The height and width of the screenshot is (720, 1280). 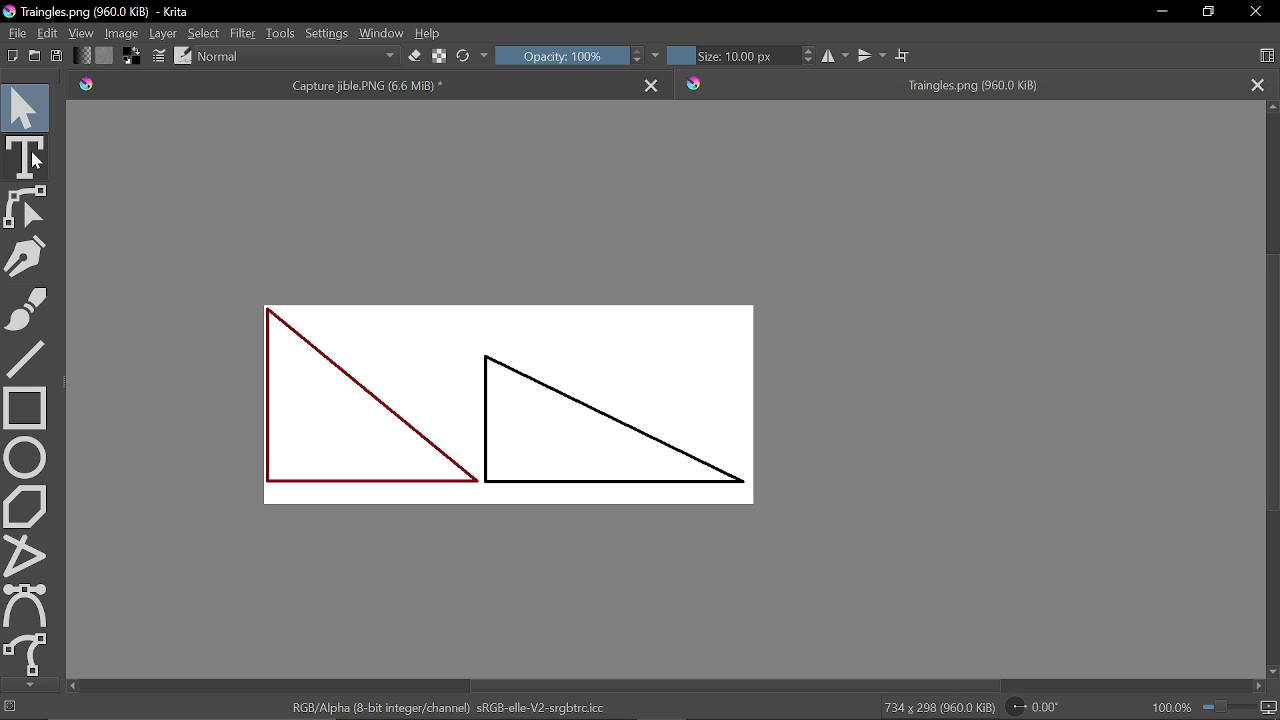 What do you see at coordinates (430, 35) in the screenshot?
I see `Help` at bounding box center [430, 35].